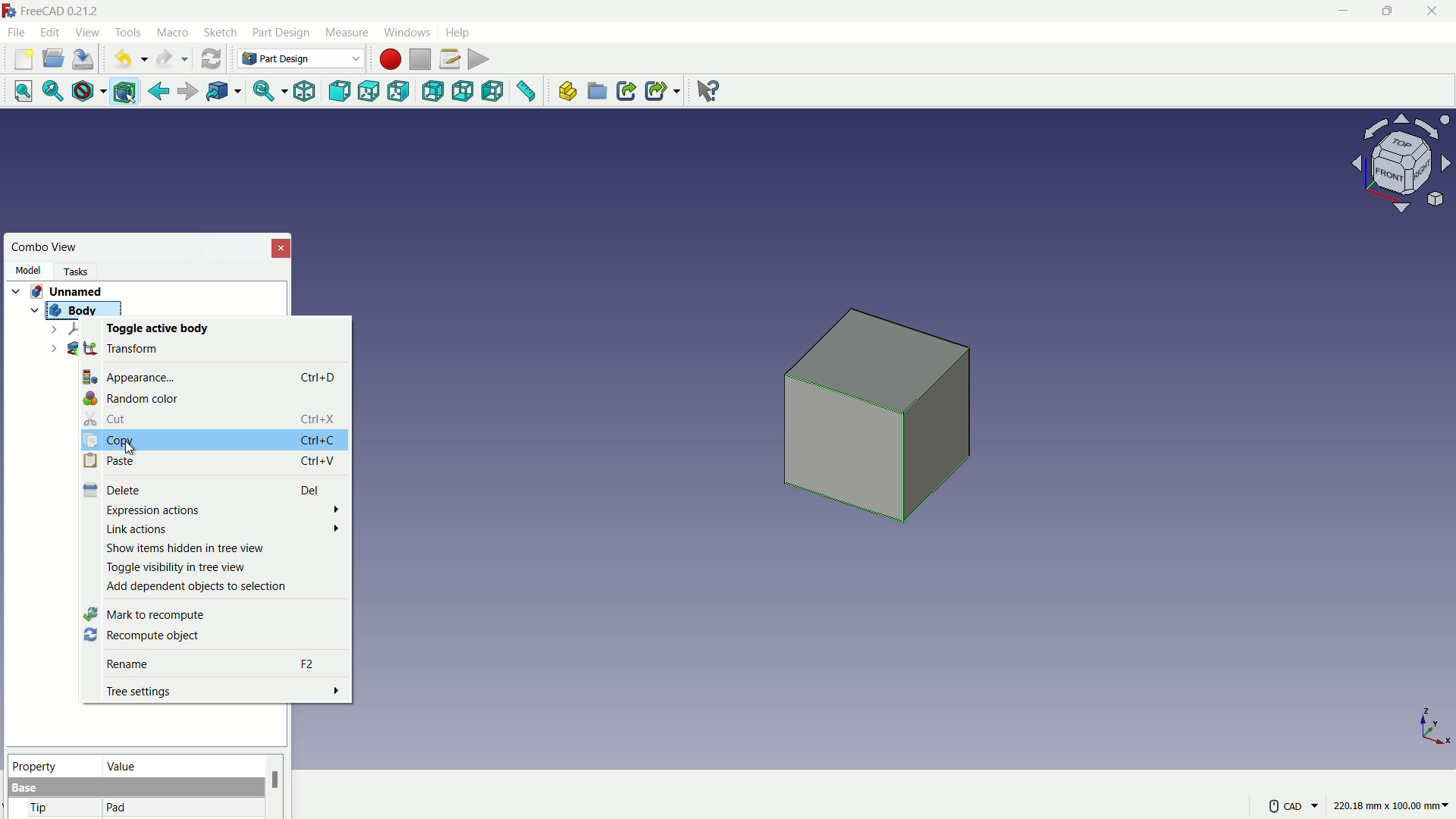  Describe the element at coordinates (222, 93) in the screenshot. I see `go to linked object` at that location.